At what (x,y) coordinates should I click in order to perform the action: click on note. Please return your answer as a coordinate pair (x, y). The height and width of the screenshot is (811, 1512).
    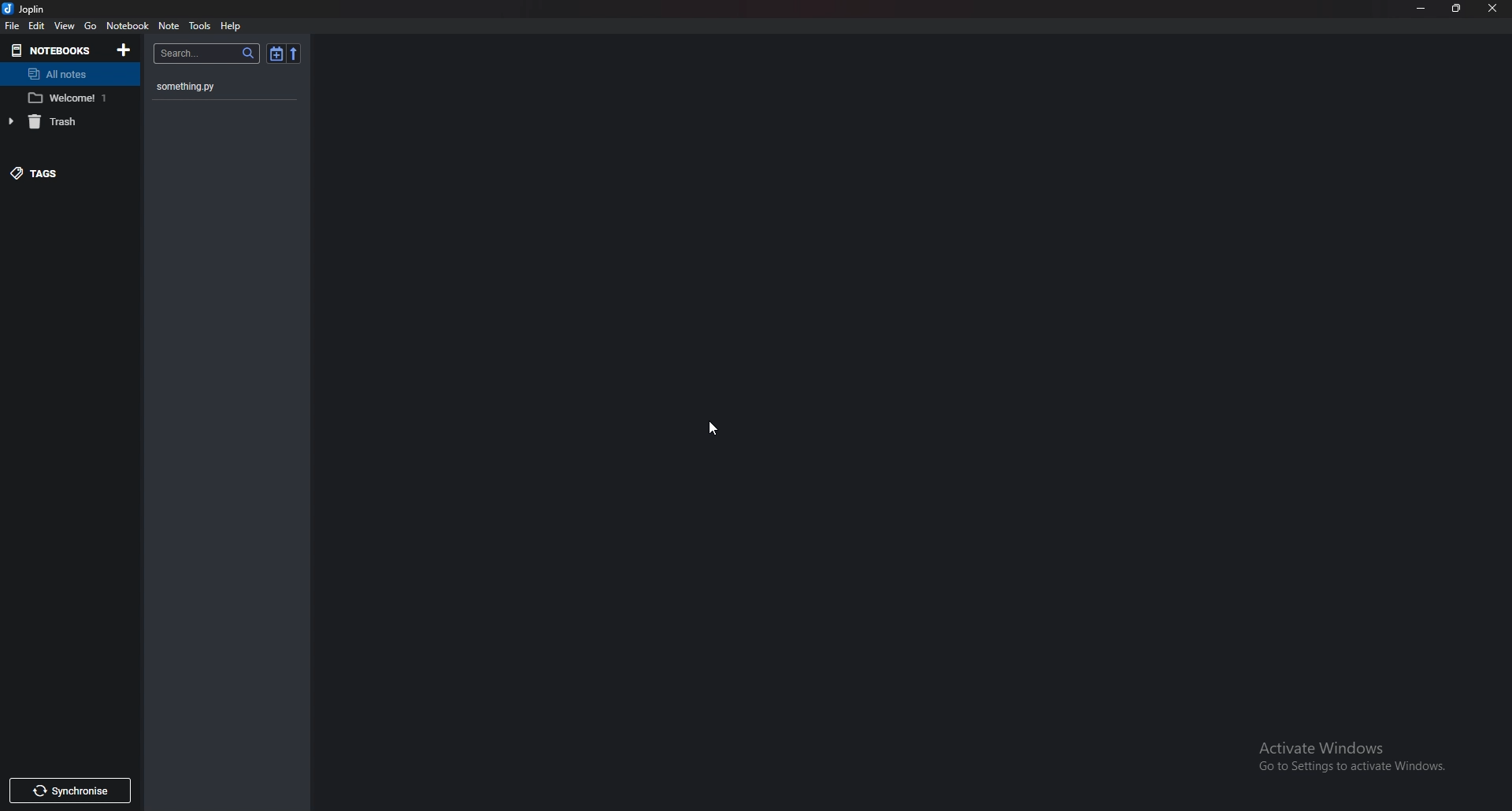
    Looking at the image, I should click on (169, 26).